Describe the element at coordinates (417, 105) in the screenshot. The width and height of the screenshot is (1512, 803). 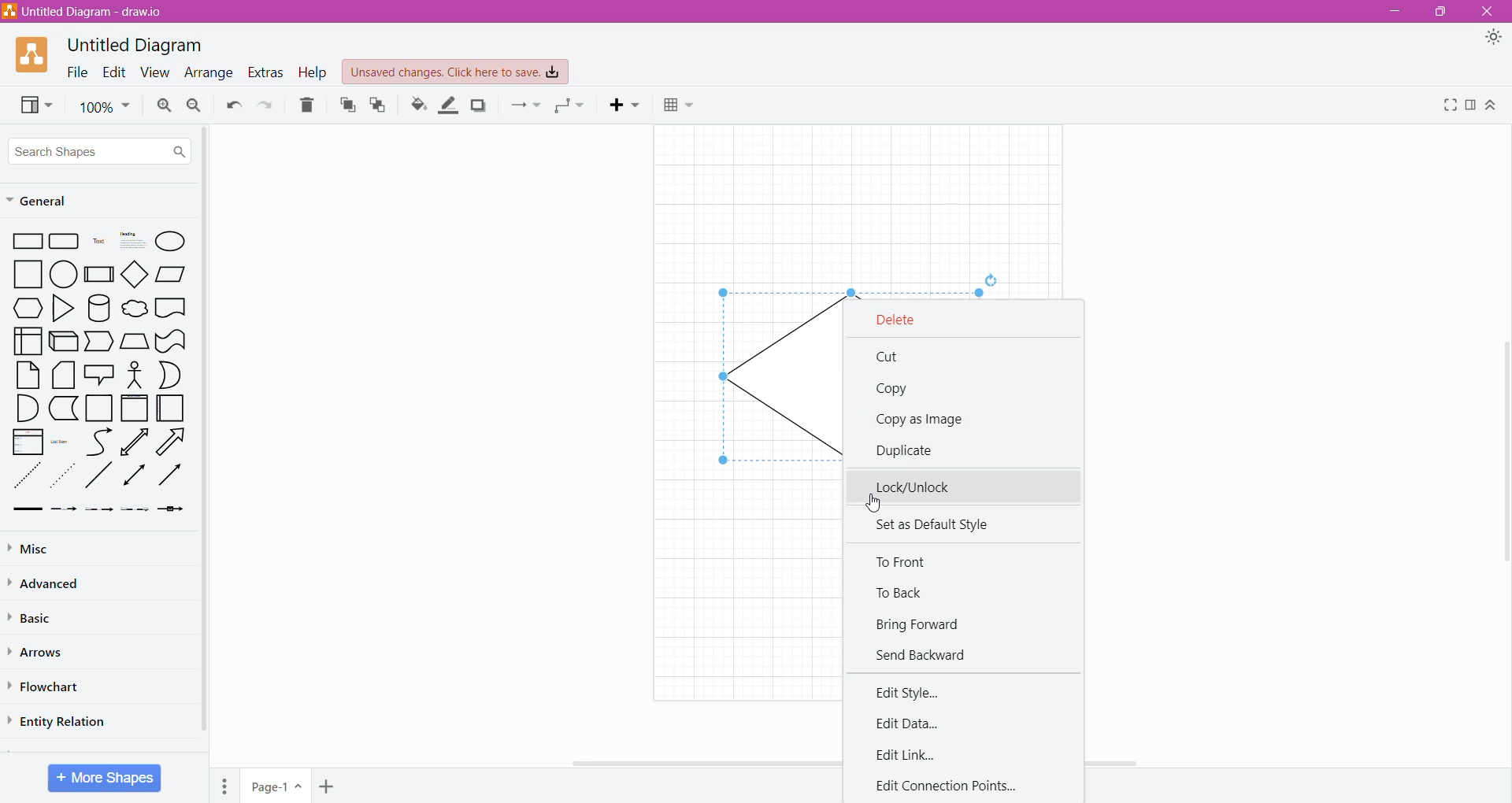
I see `Fill Color` at that location.